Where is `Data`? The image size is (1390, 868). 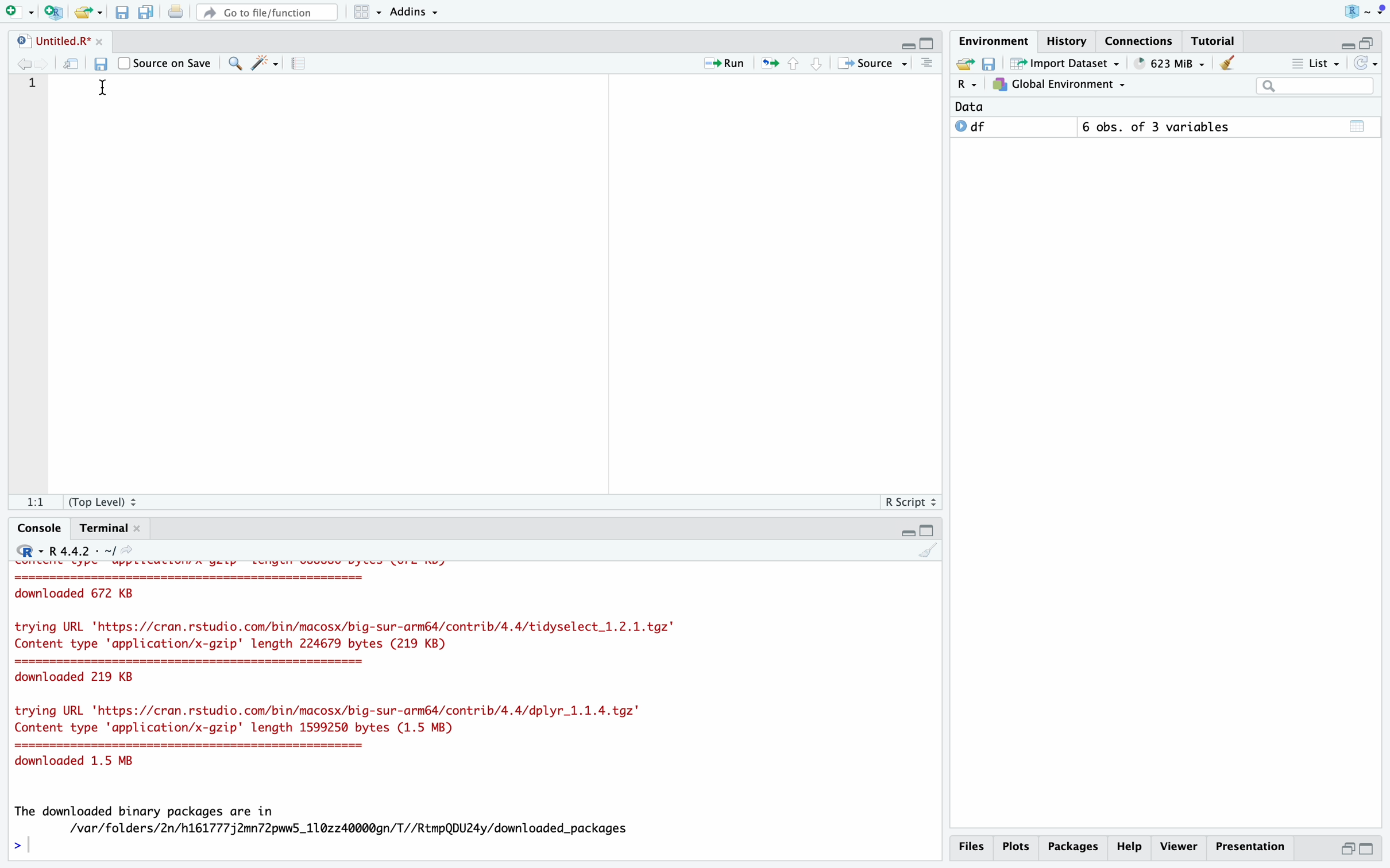 Data is located at coordinates (978, 107).